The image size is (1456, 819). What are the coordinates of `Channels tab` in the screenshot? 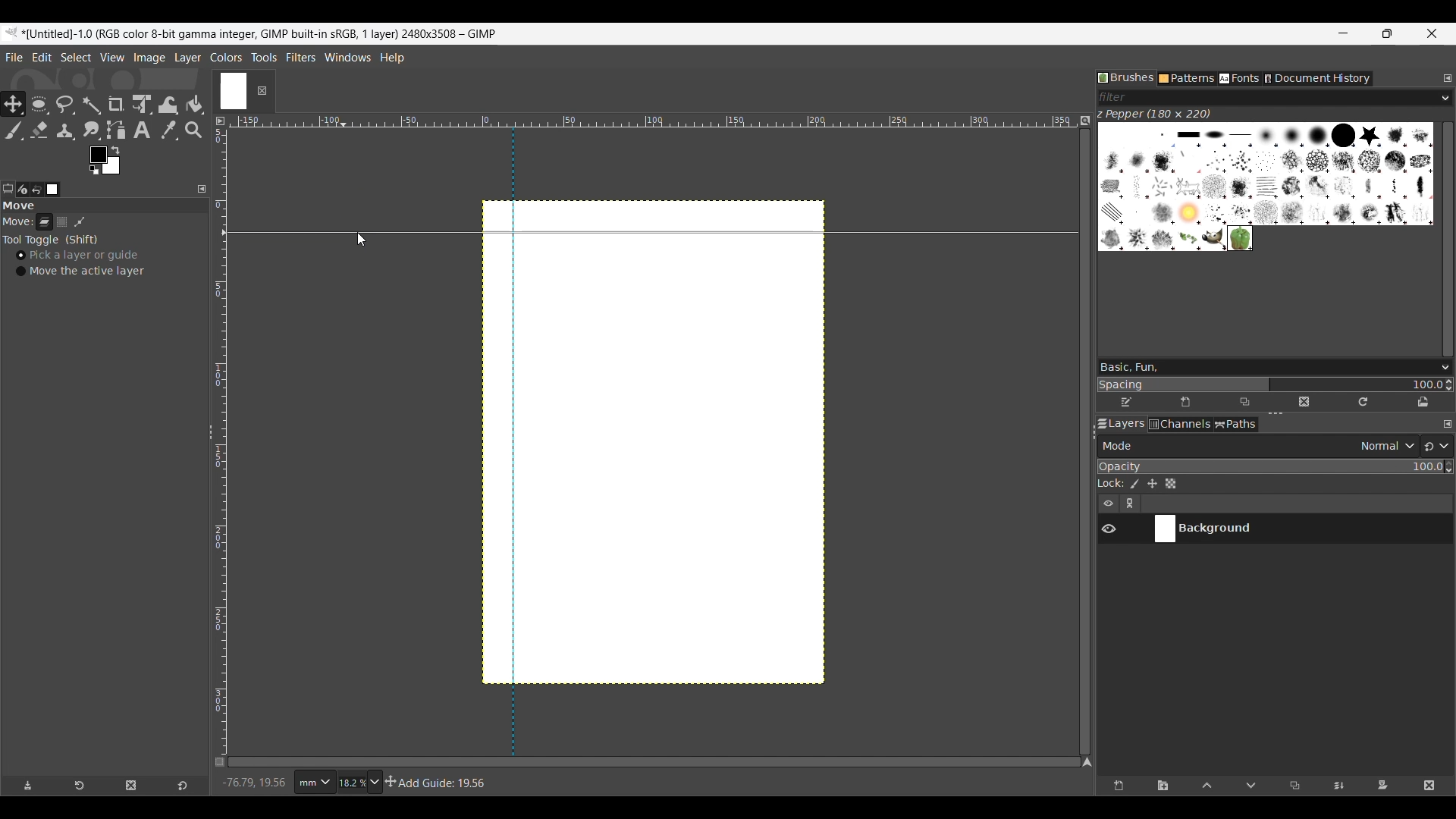 It's located at (1180, 424).